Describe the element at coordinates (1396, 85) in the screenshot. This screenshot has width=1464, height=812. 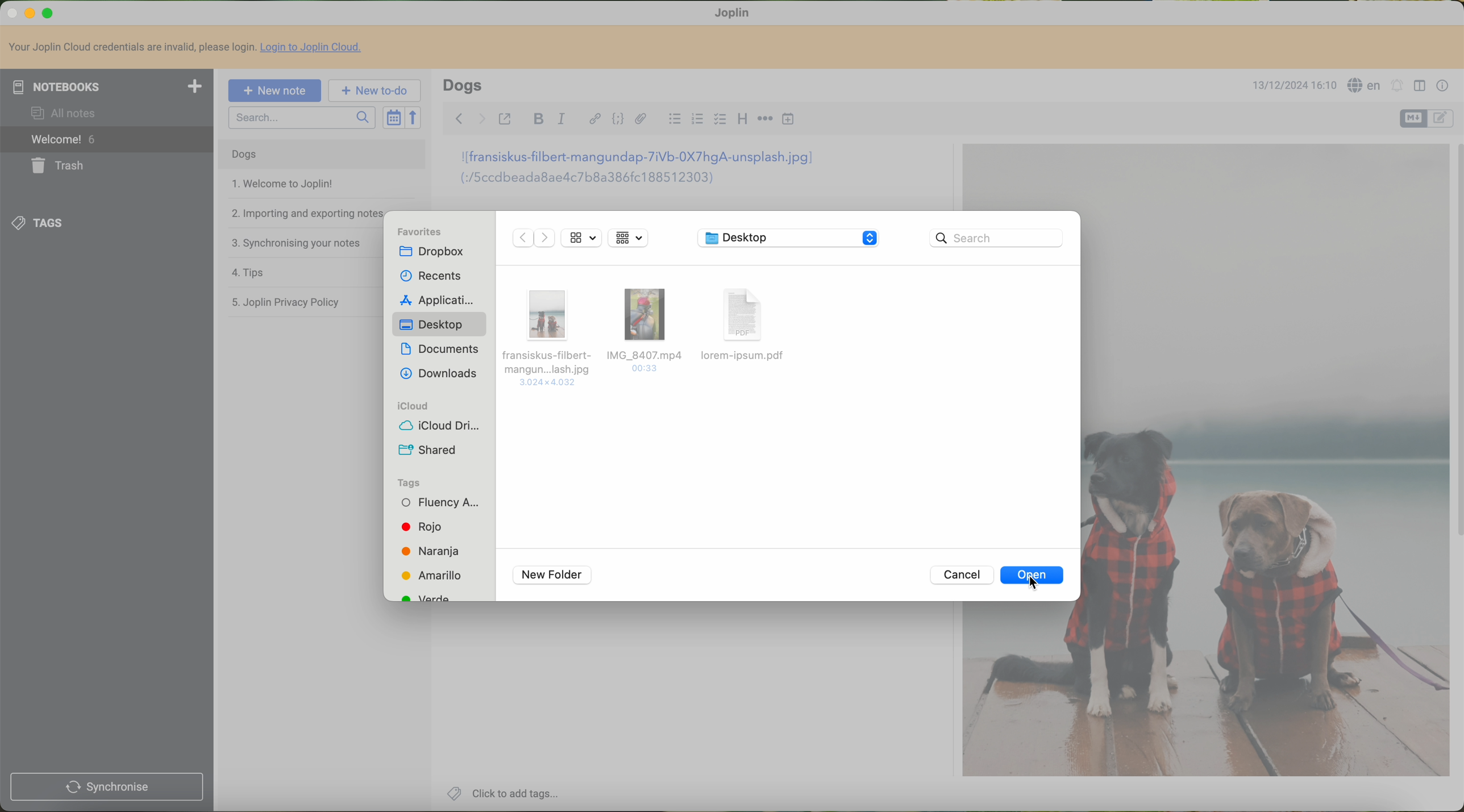
I see `set alarm` at that location.